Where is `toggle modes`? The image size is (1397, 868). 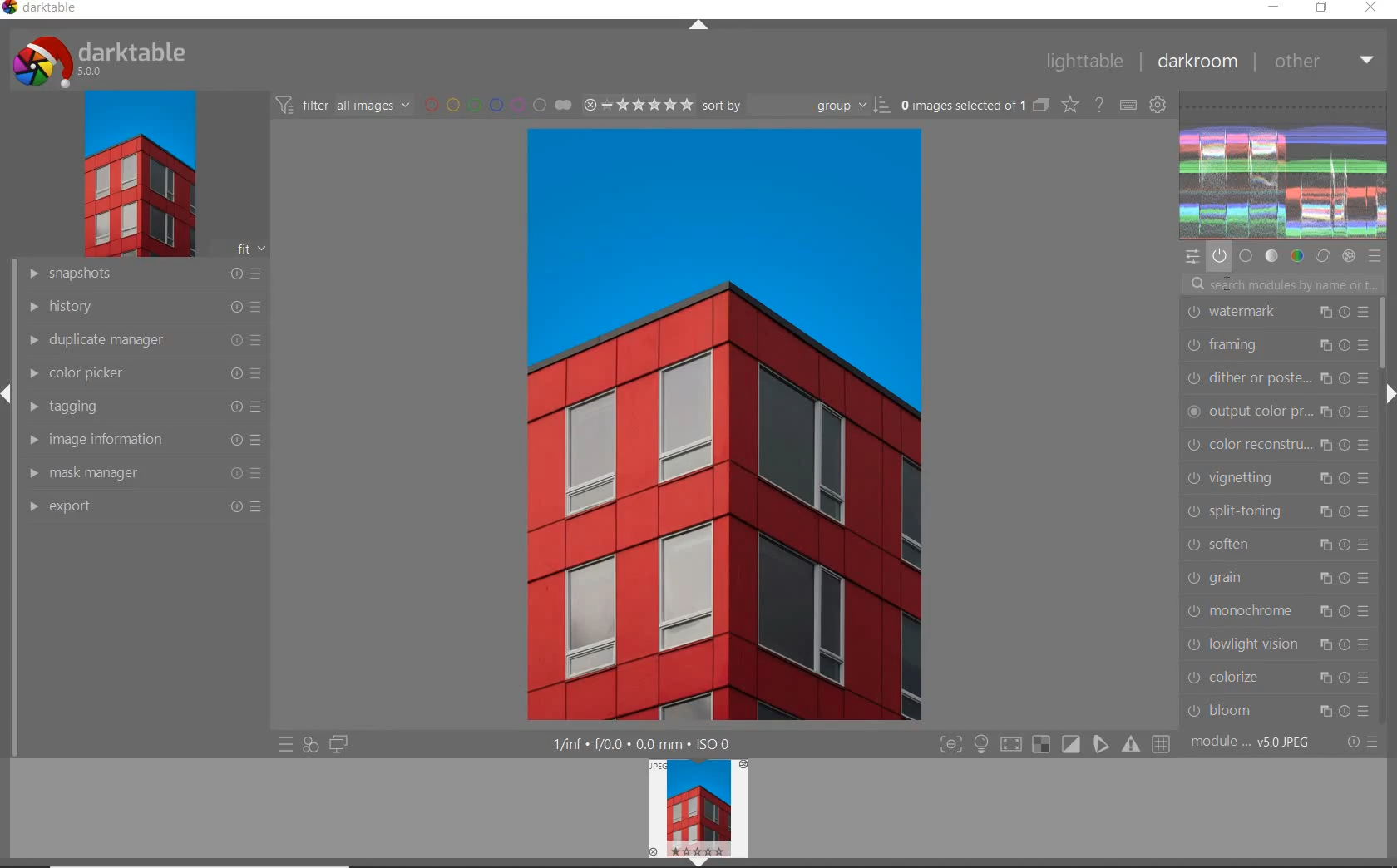 toggle modes is located at coordinates (1056, 744).